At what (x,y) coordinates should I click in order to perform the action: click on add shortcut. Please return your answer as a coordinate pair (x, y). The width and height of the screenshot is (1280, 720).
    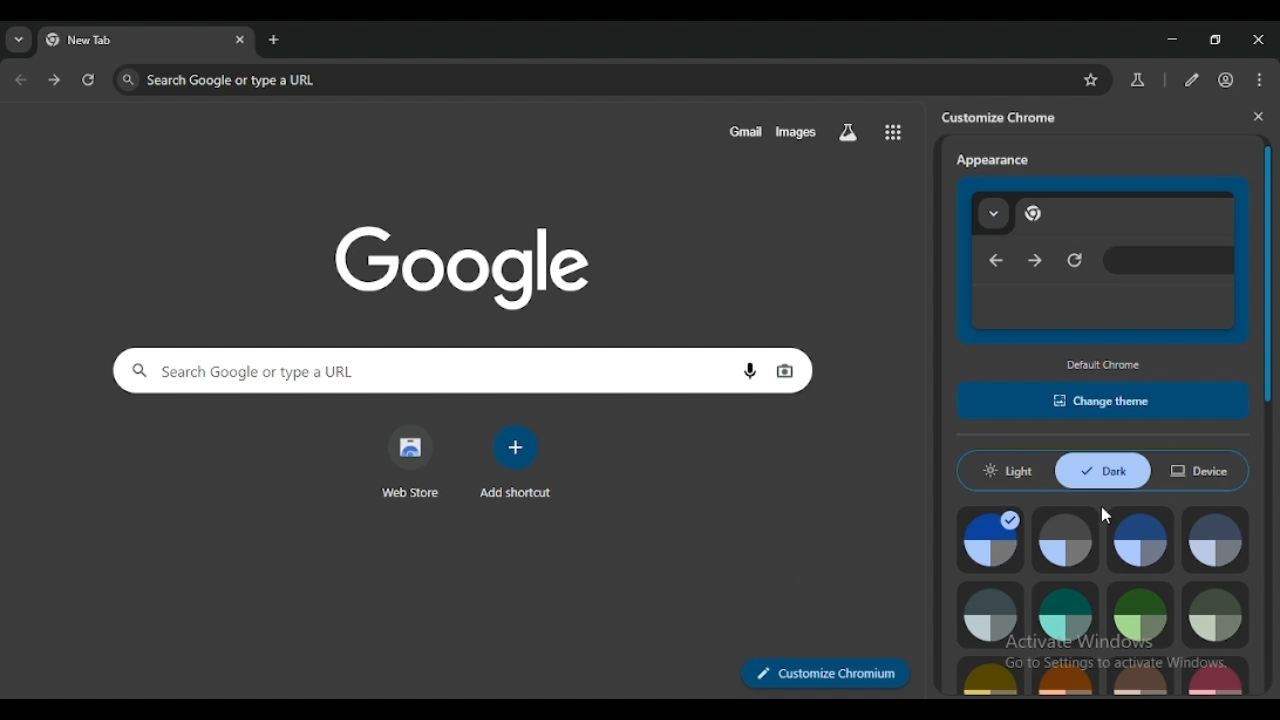
    Looking at the image, I should click on (514, 461).